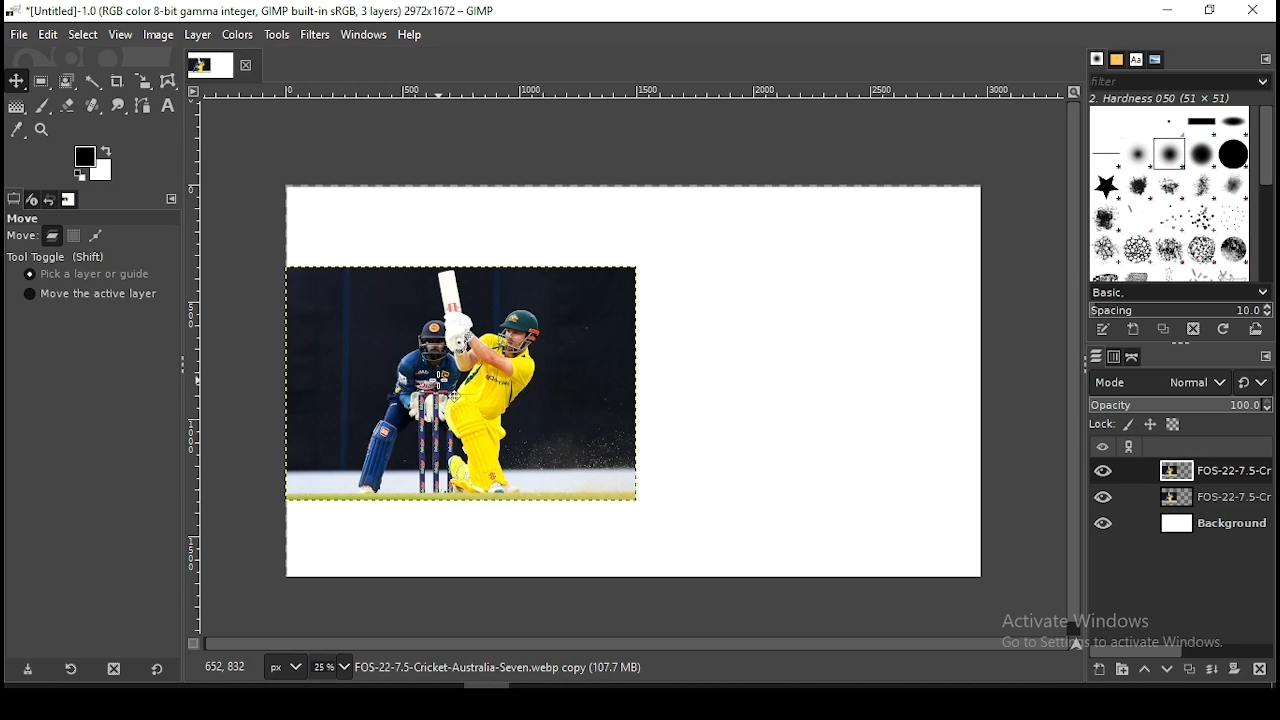  Describe the element at coordinates (19, 33) in the screenshot. I see `file` at that location.